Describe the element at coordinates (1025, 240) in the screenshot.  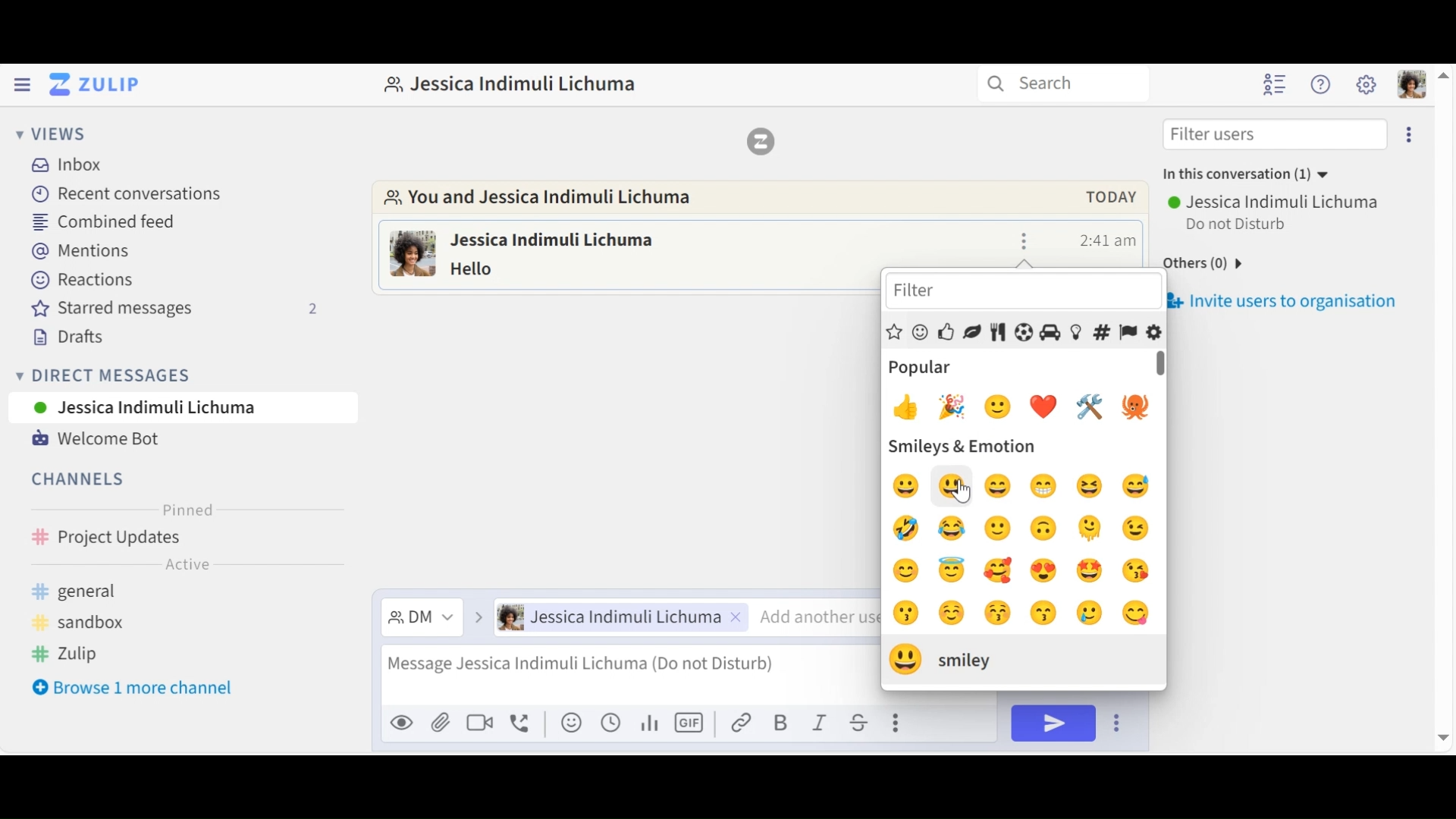
I see `message actions` at that location.